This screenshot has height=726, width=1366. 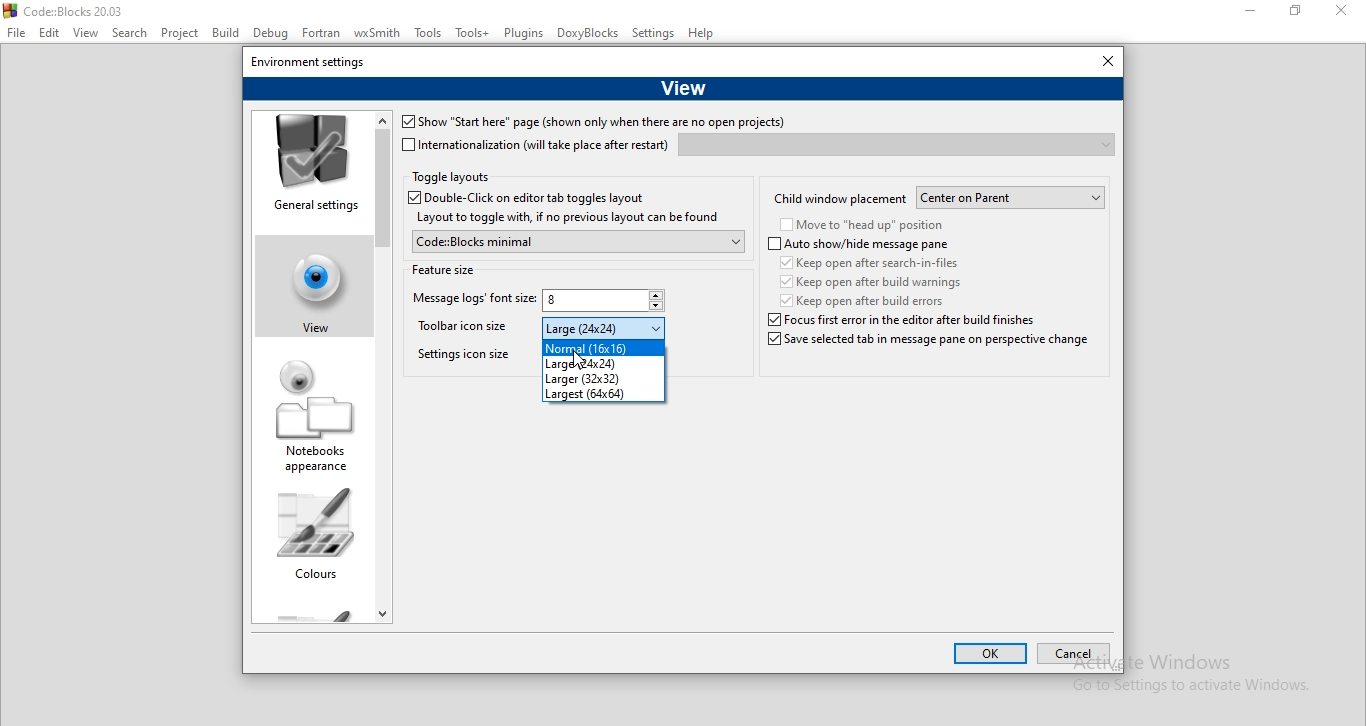 I want to click on Debug, so click(x=269, y=34).